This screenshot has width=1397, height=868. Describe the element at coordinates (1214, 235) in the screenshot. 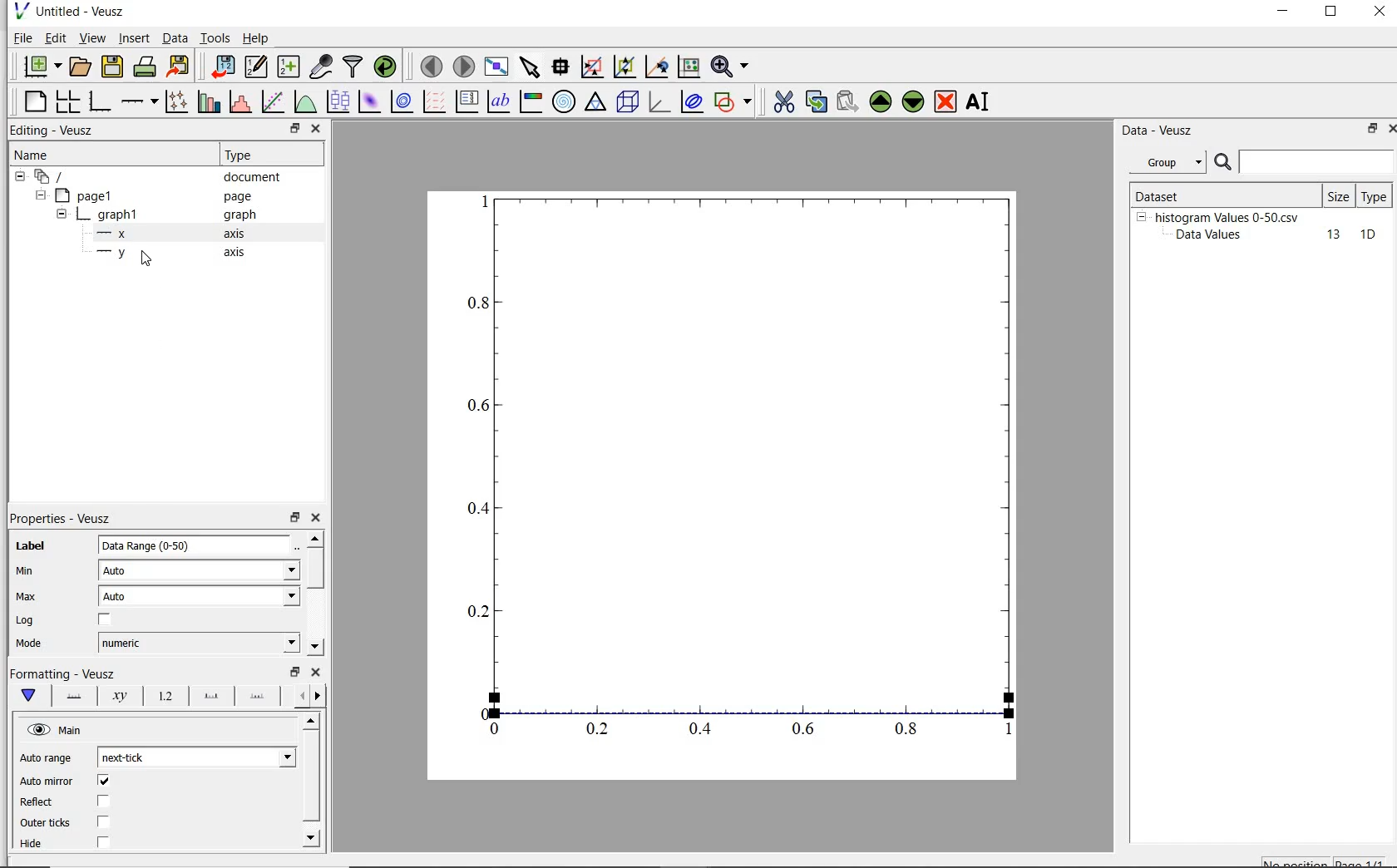

I see `Data Values` at that location.